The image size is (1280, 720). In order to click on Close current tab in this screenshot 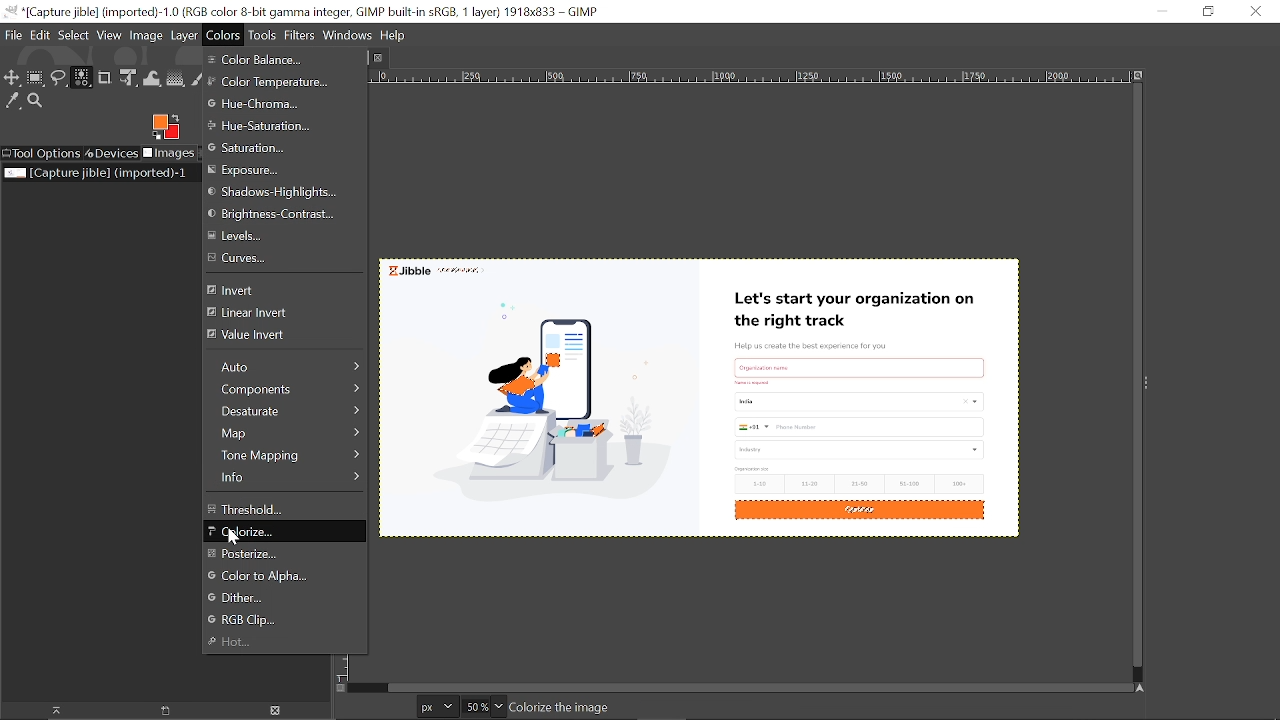, I will do `click(383, 57)`.